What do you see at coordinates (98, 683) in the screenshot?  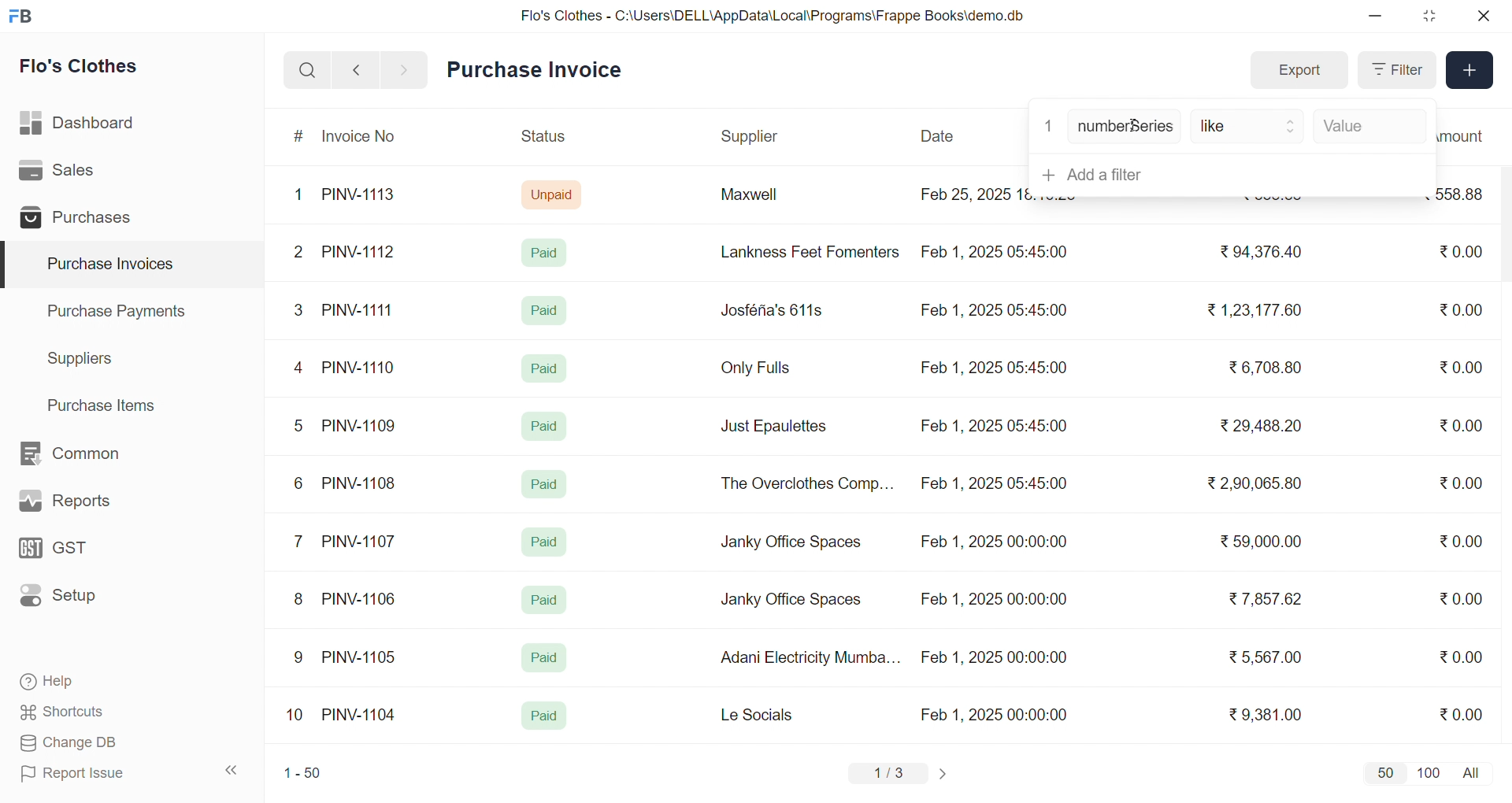 I see `Help` at bounding box center [98, 683].